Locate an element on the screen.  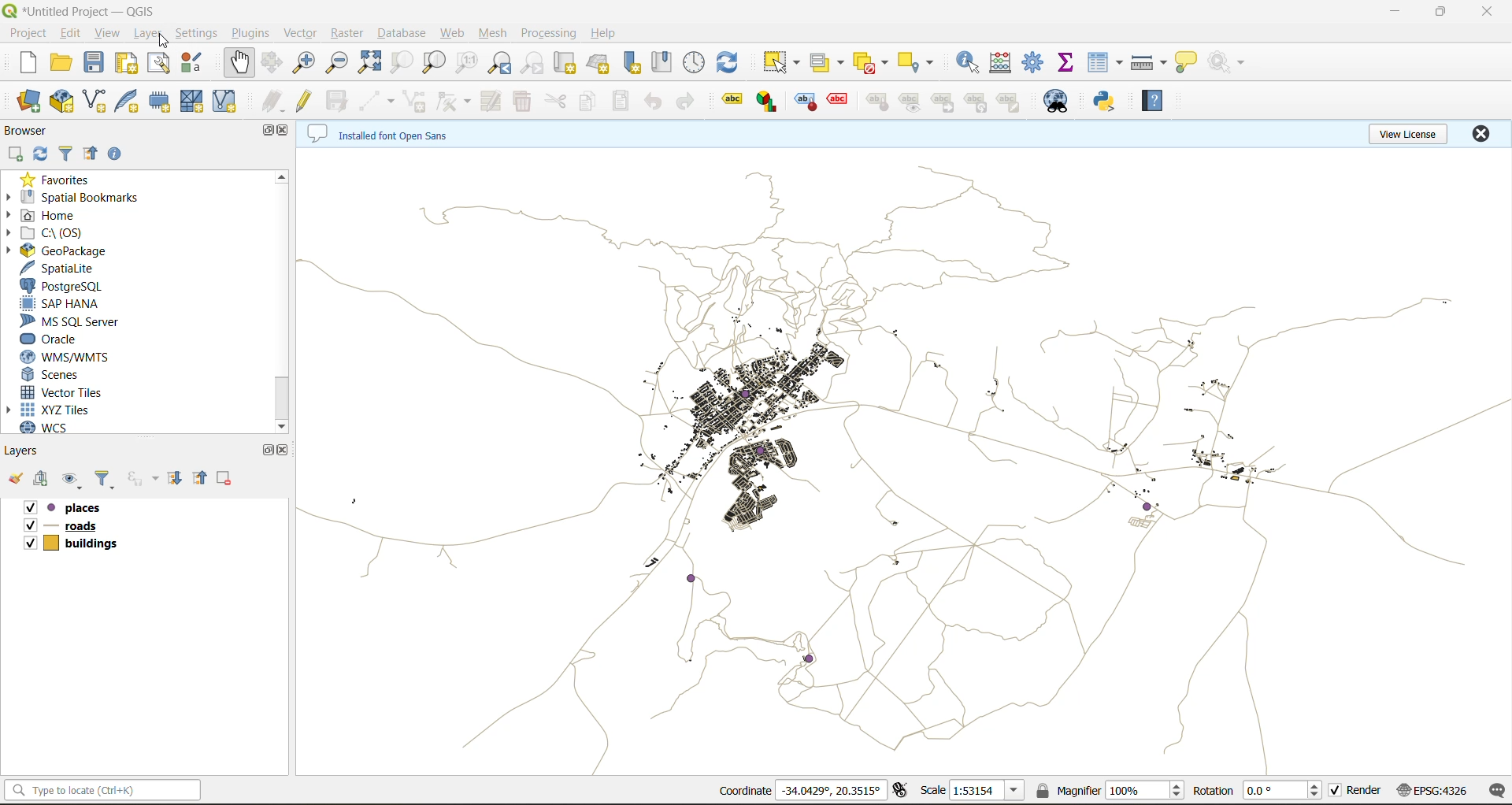
settings is located at coordinates (198, 35).